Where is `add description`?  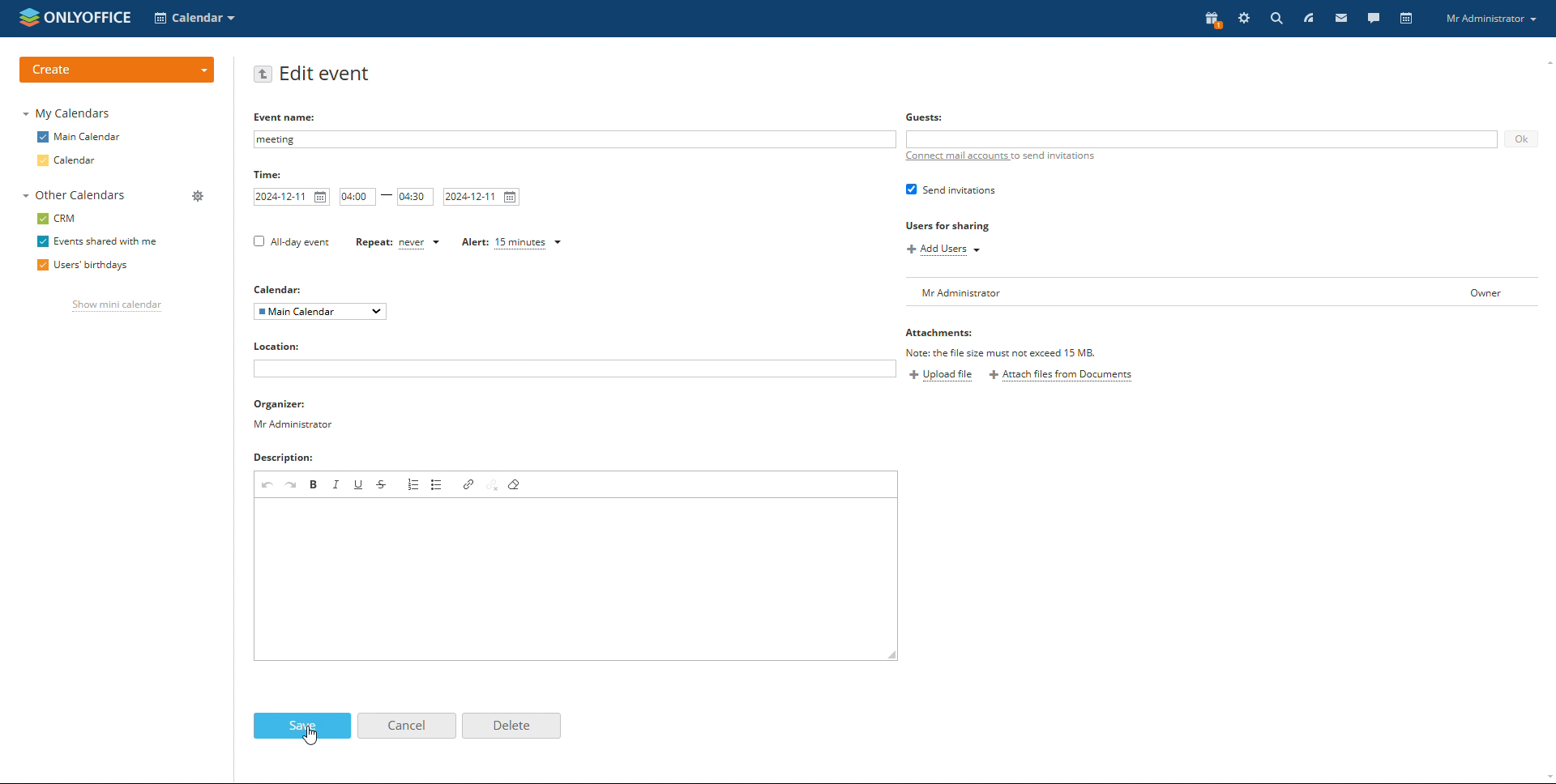
add description is located at coordinates (566, 579).